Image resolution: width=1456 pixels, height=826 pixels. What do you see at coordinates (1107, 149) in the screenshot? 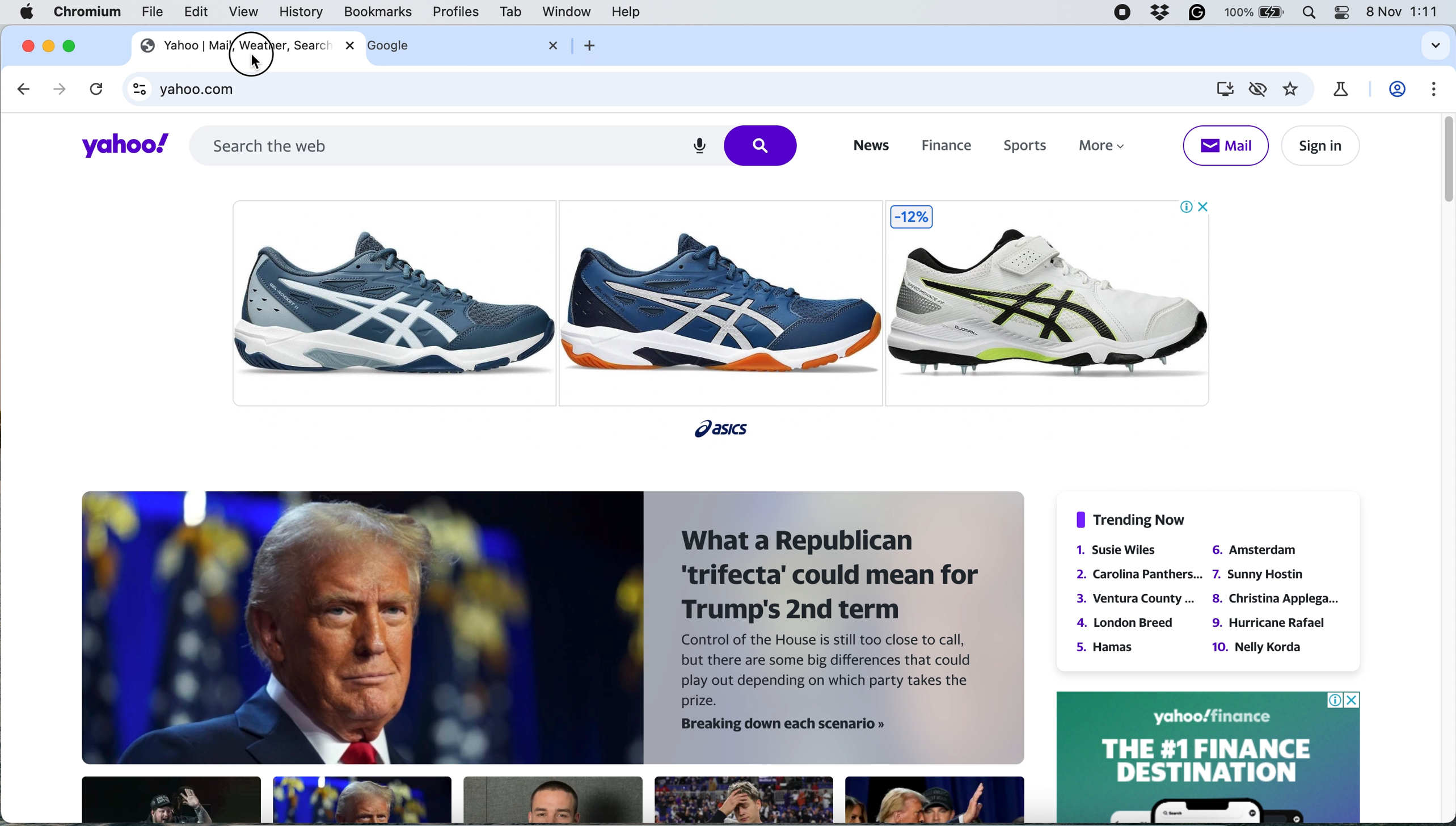
I see `more` at bounding box center [1107, 149].